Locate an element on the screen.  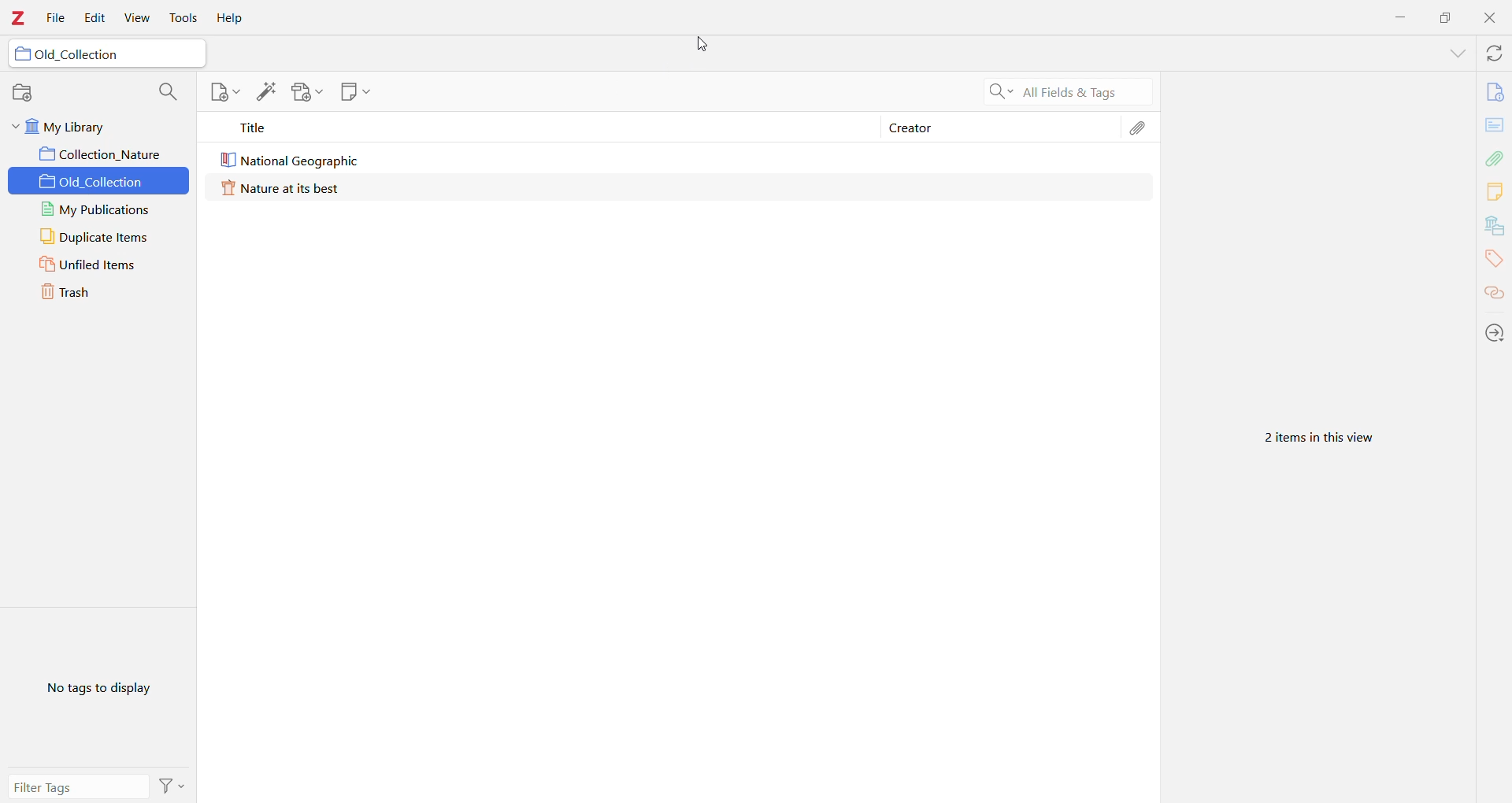
Help is located at coordinates (231, 18).